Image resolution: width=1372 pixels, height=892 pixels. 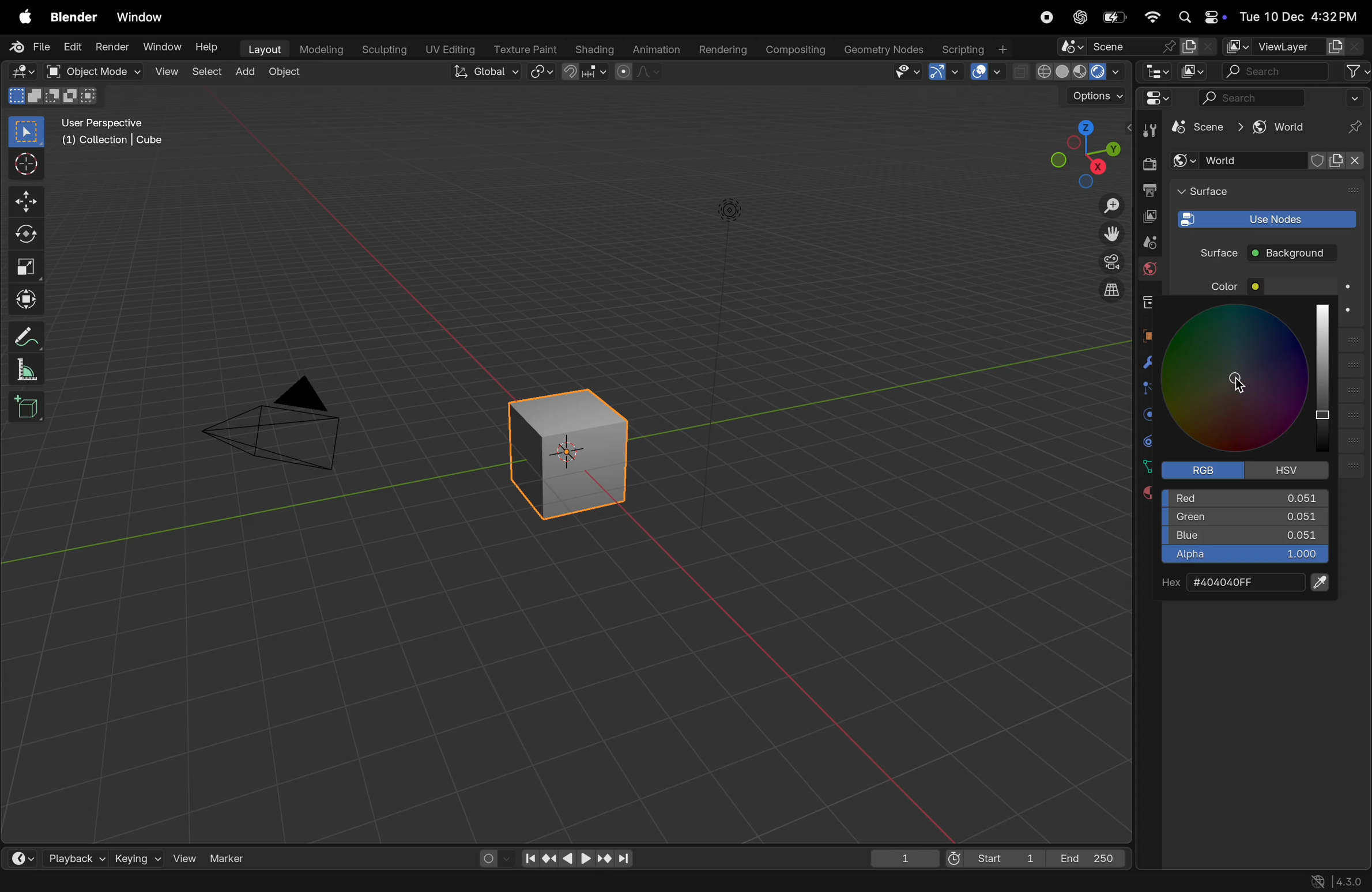 What do you see at coordinates (1146, 302) in the screenshot?
I see `collection` at bounding box center [1146, 302].